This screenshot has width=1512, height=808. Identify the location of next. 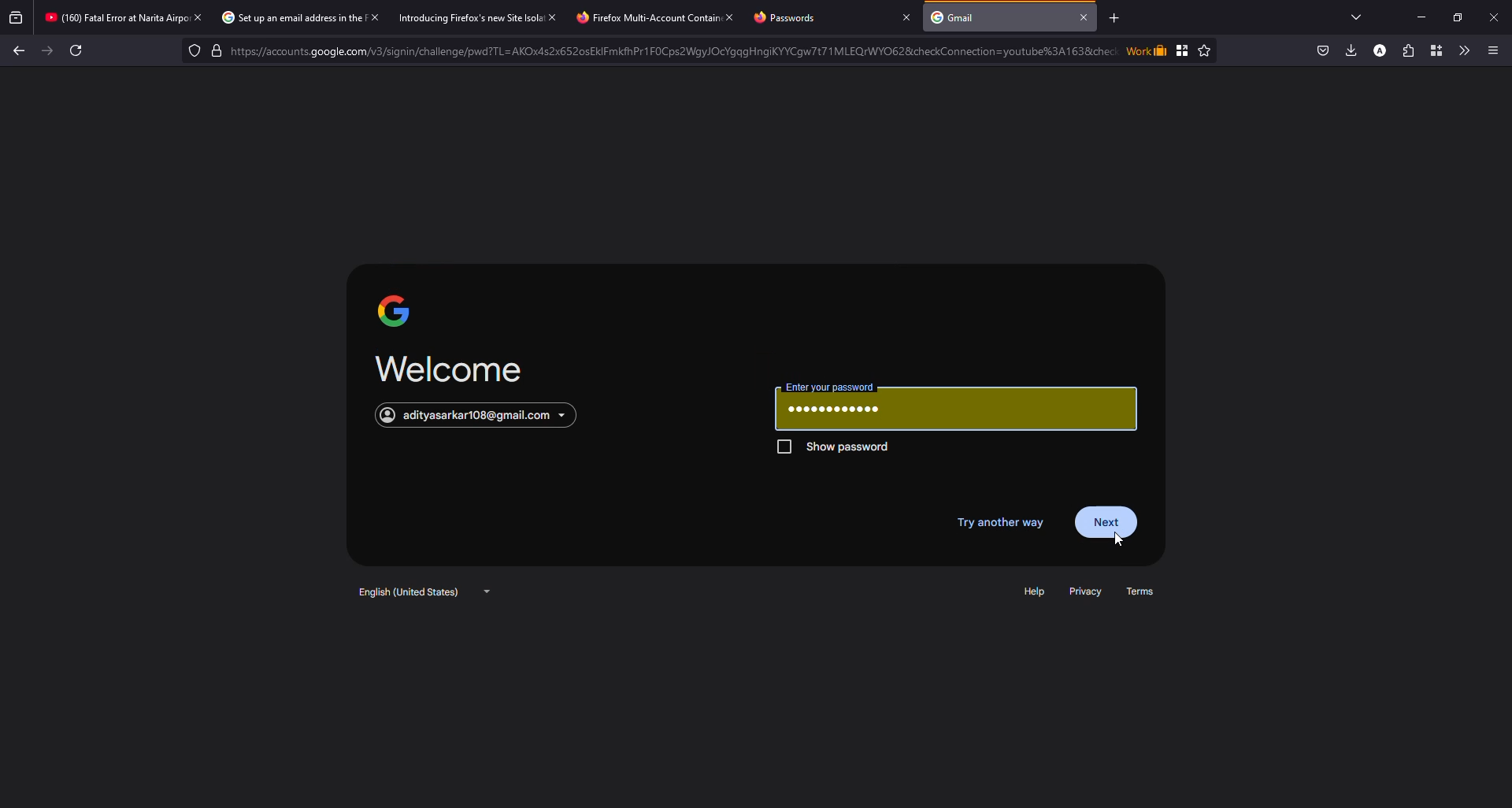
(1109, 520).